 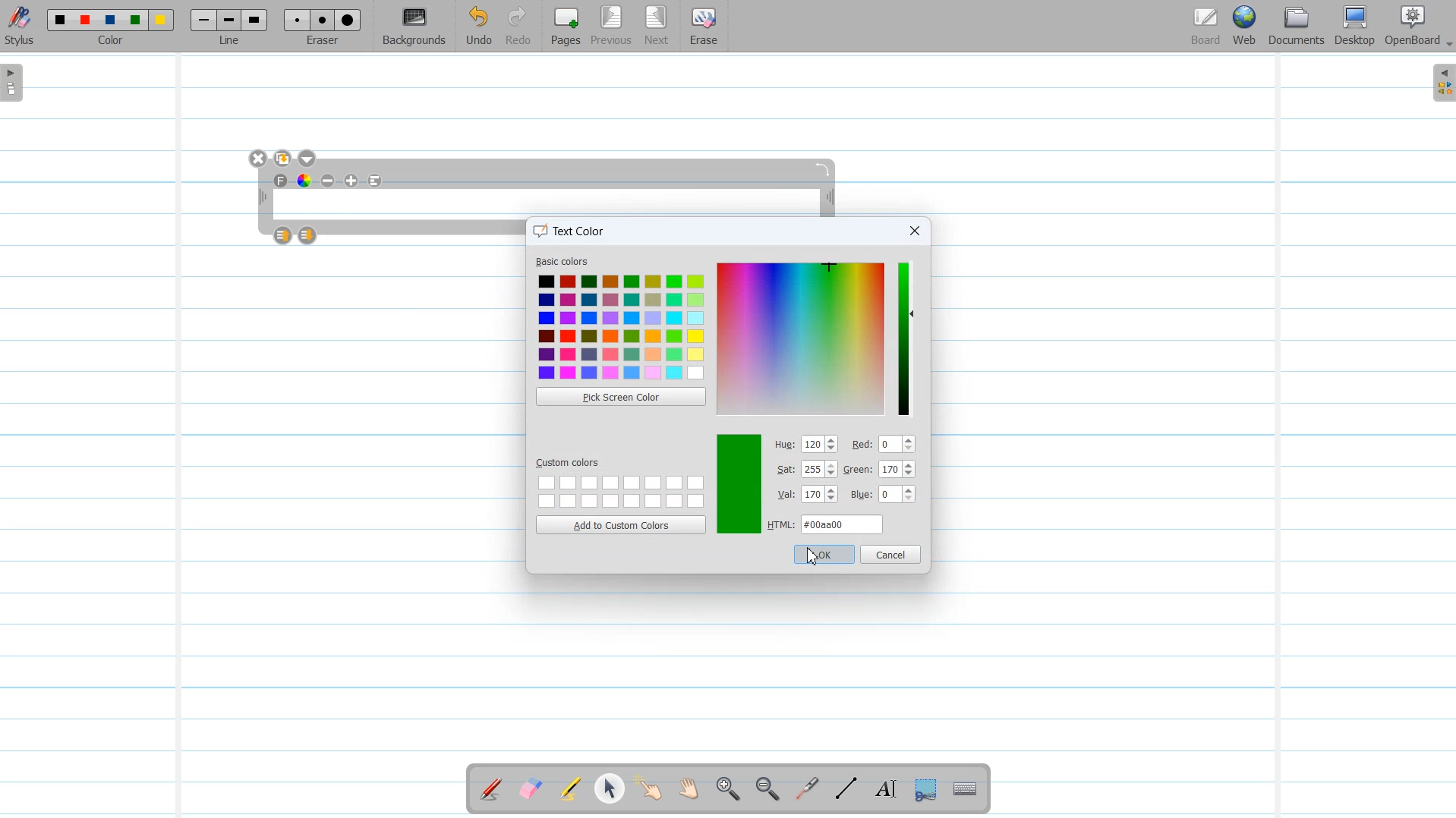 What do you see at coordinates (619, 490) in the screenshot?
I see `Custom colors` at bounding box center [619, 490].